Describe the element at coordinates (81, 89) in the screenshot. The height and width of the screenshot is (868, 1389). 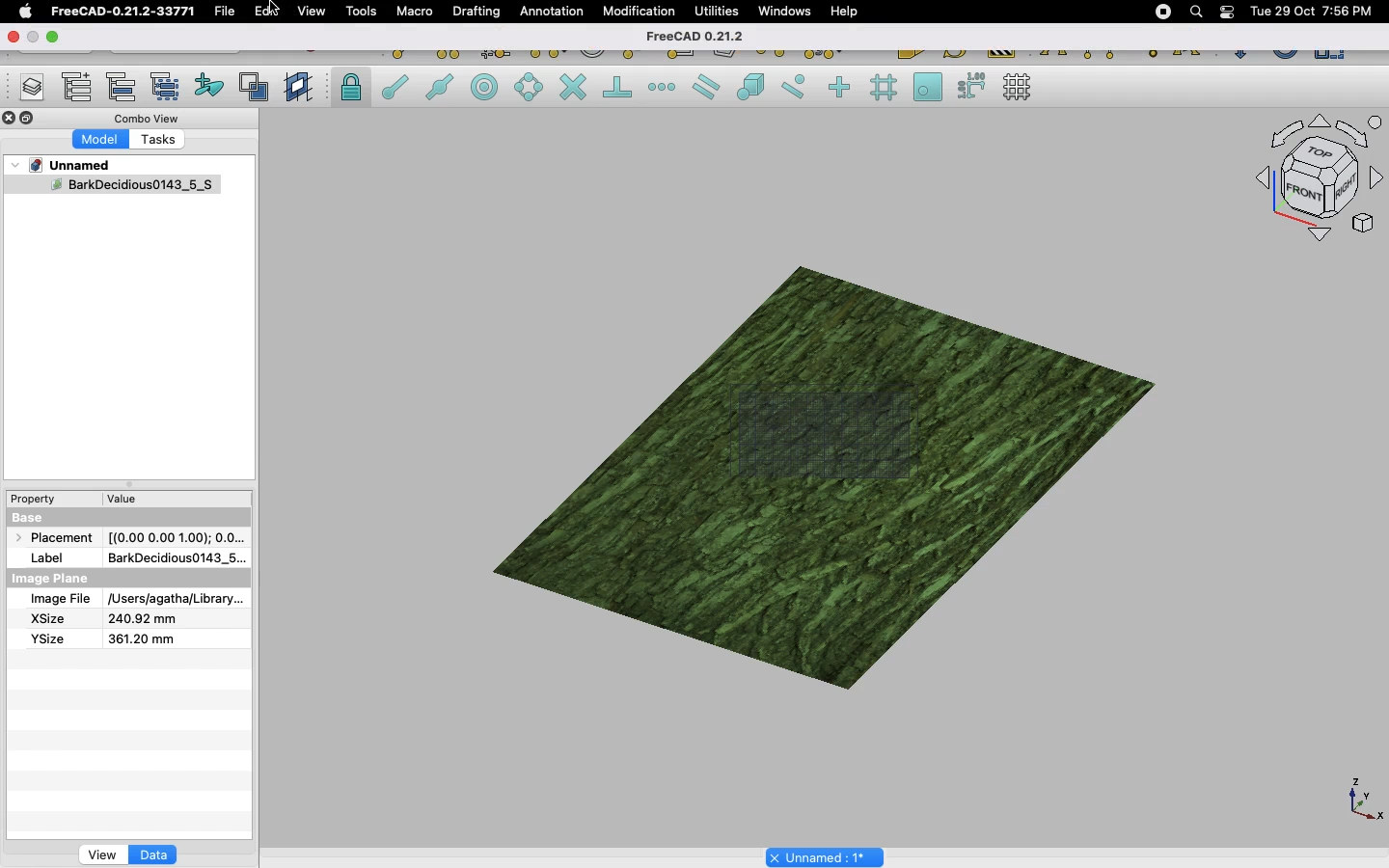
I see `Add new named group` at that location.